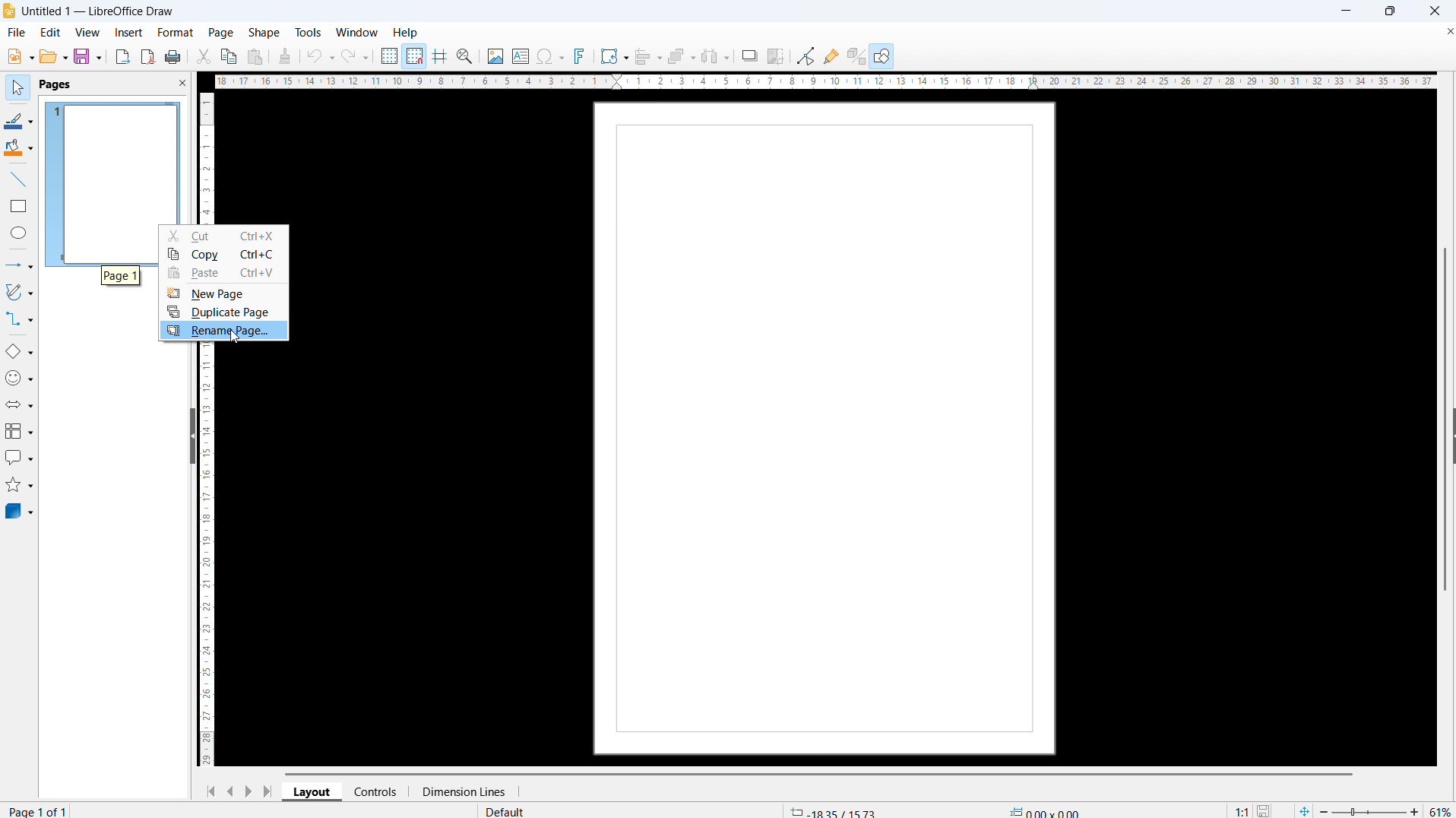 This screenshot has width=1456, height=818. Describe the element at coordinates (20, 459) in the screenshot. I see `callout shapes` at that location.